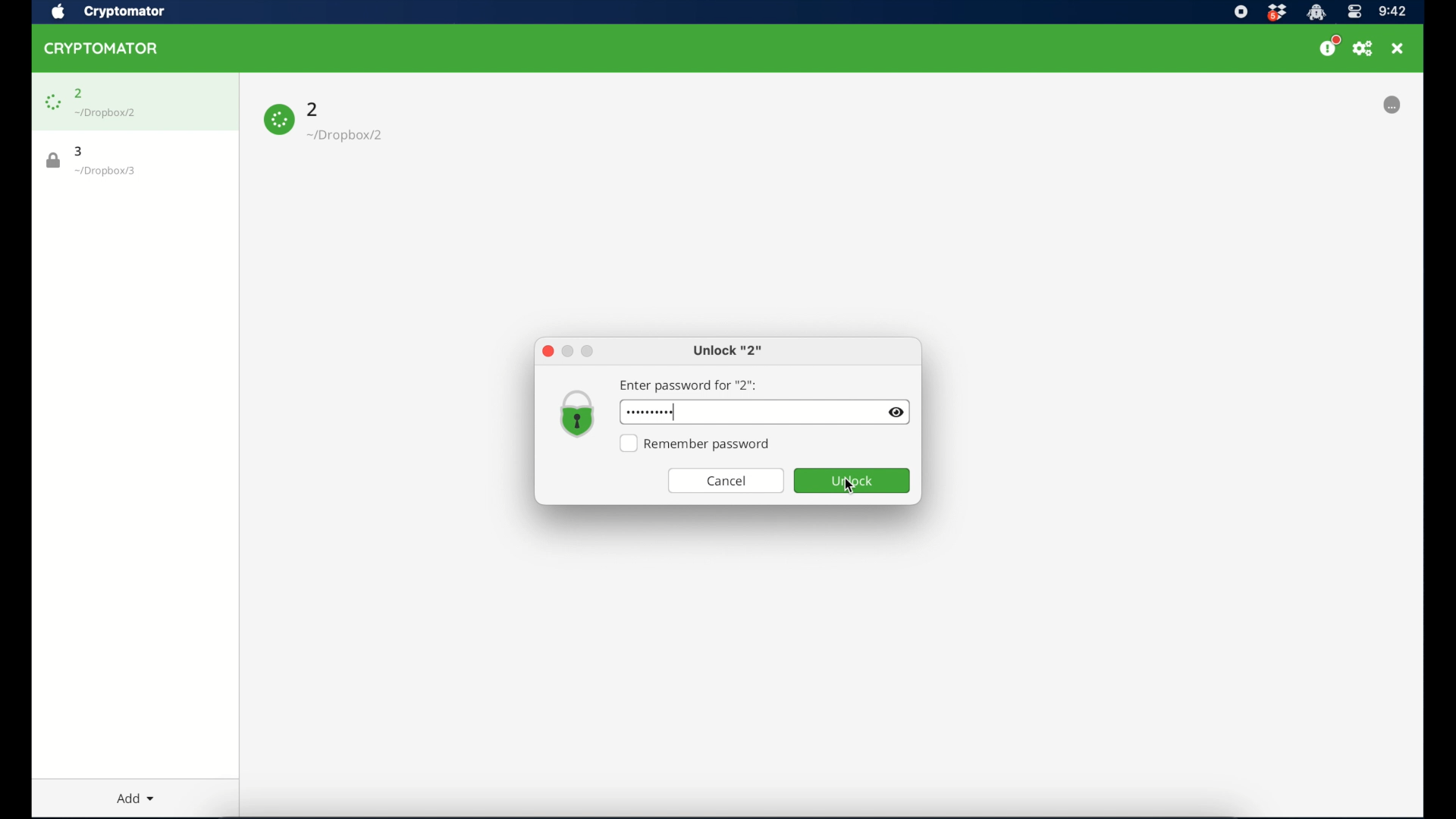 Image resolution: width=1456 pixels, height=819 pixels. Describe the element at coordinates (588, 351) in the screenshot. I see `maximize` at that location.